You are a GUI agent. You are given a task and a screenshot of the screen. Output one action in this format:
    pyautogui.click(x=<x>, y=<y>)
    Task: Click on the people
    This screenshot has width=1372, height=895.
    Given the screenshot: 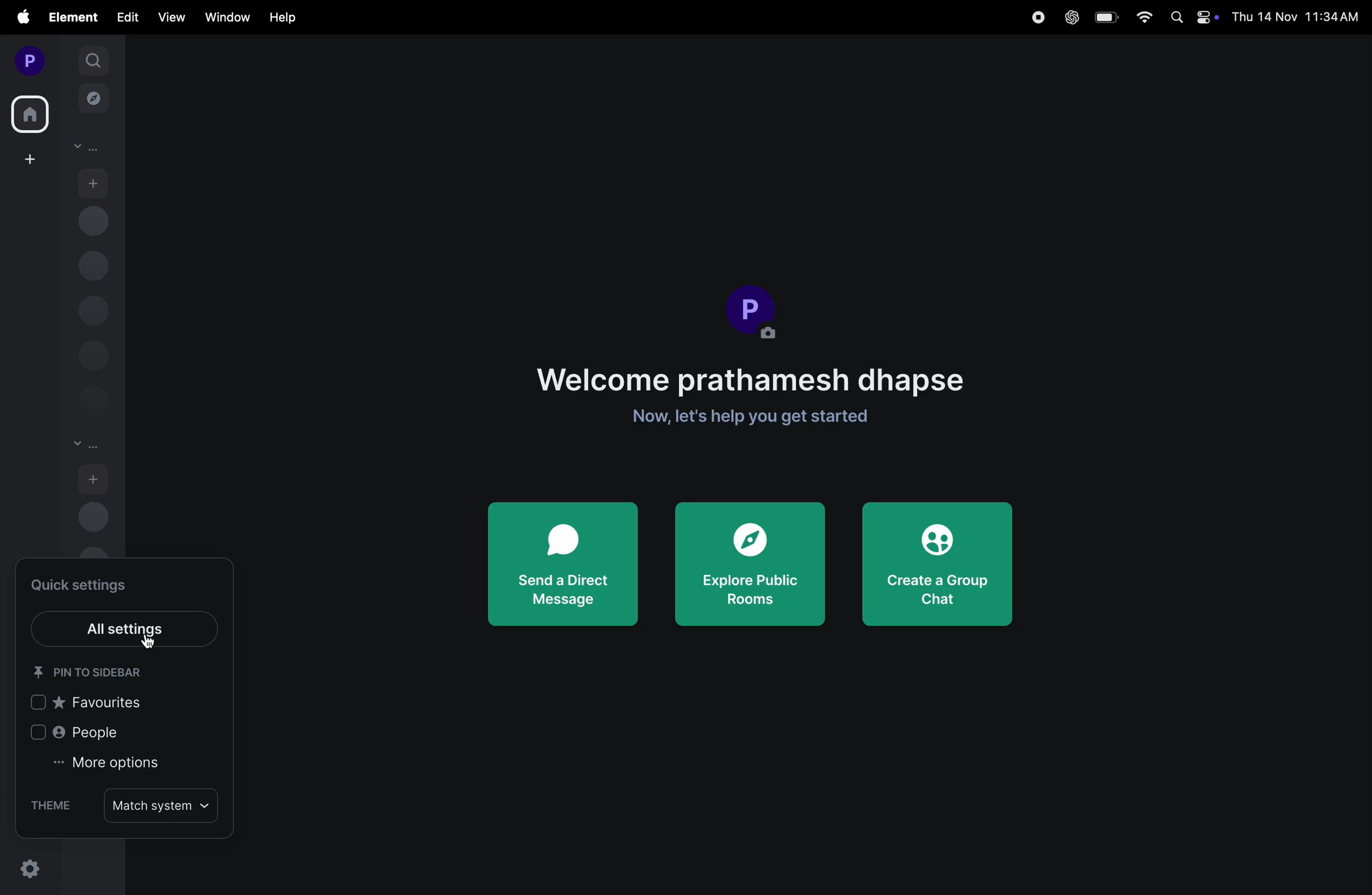 What is the action you would take?
    pyautogui.click(x=86, y=148)
    